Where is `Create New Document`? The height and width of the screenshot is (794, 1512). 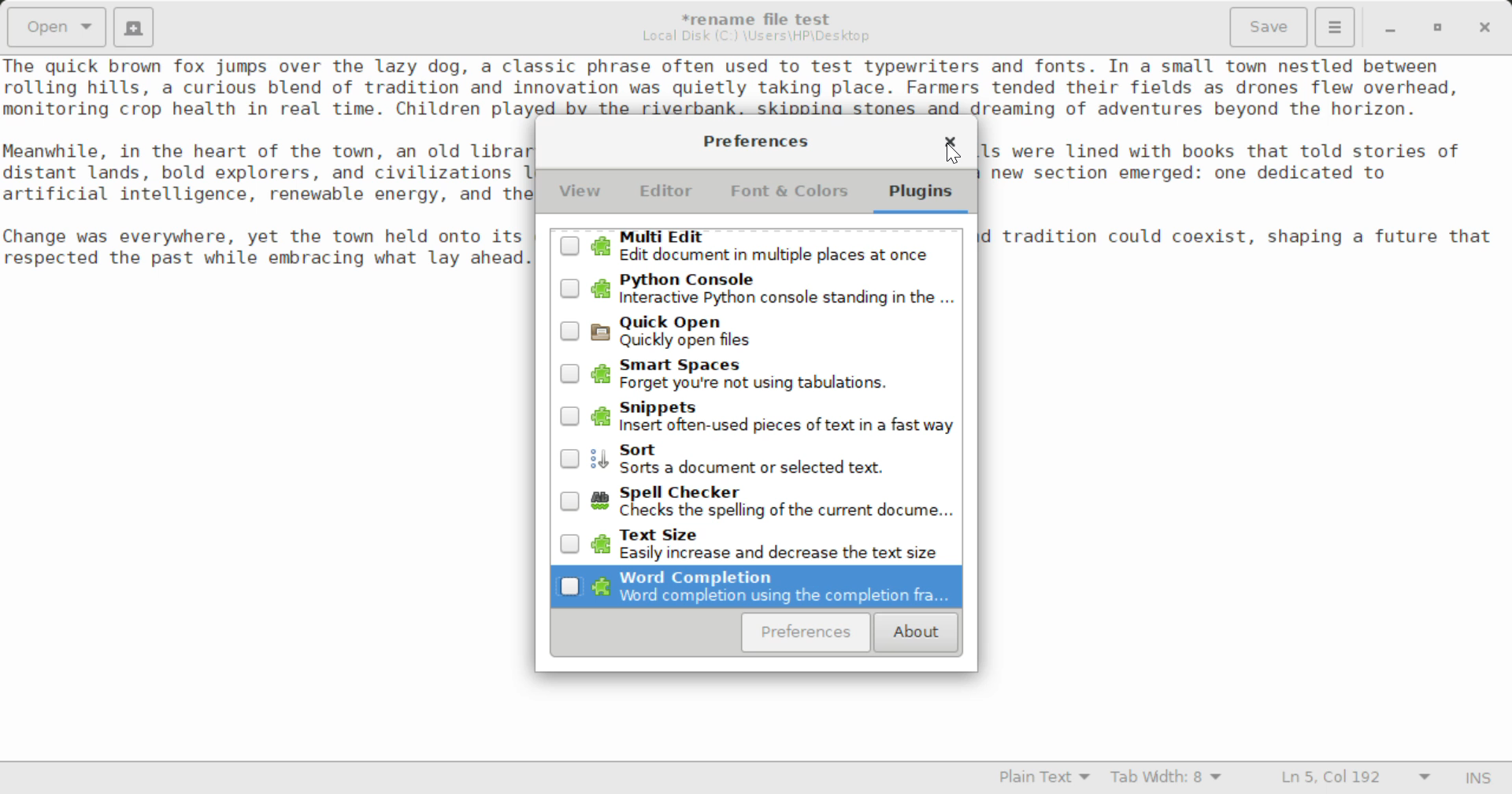 Create New Document is located at coordinates (132, 25).